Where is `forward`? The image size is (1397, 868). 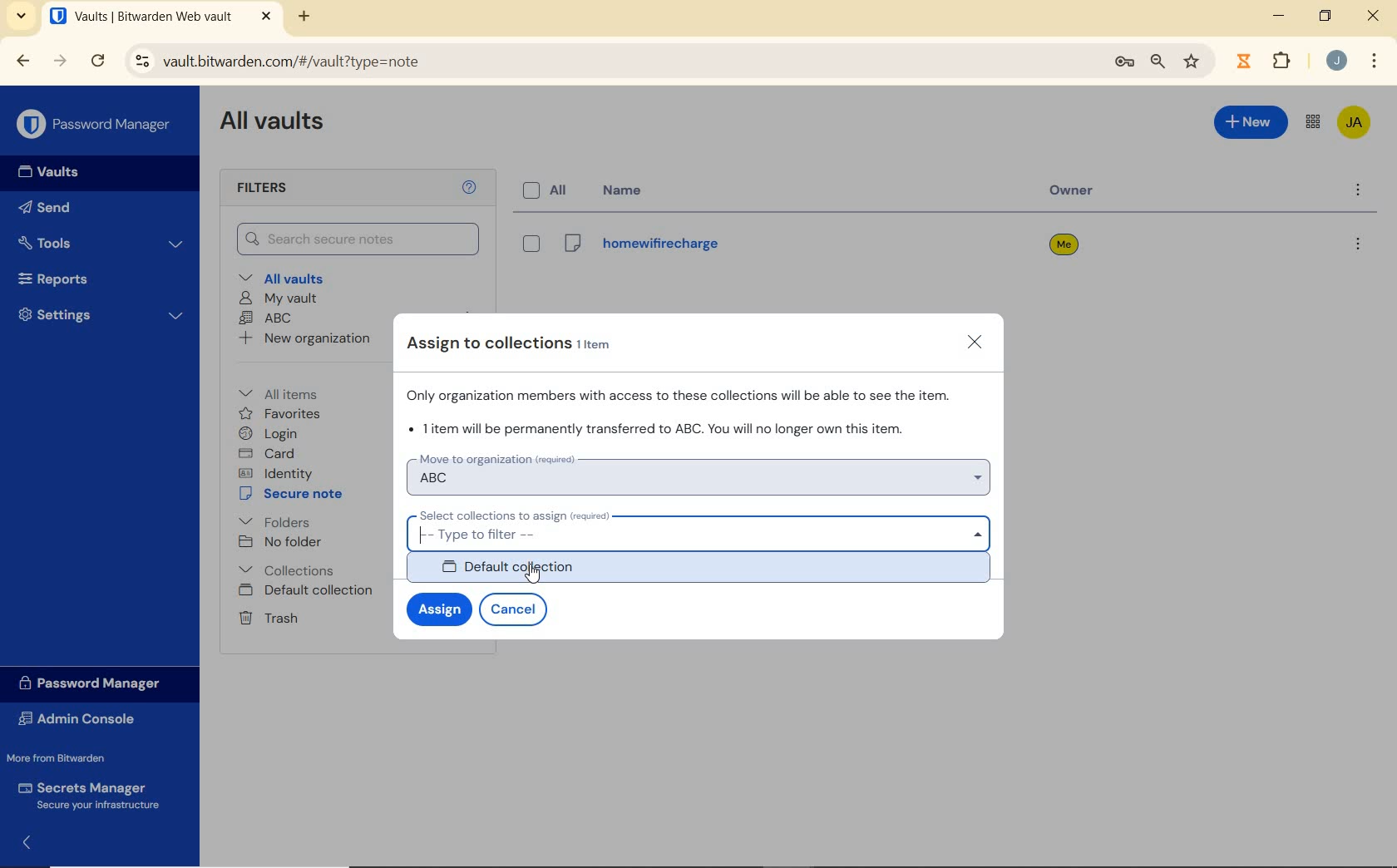
forward is located at coordinates (60, 61).